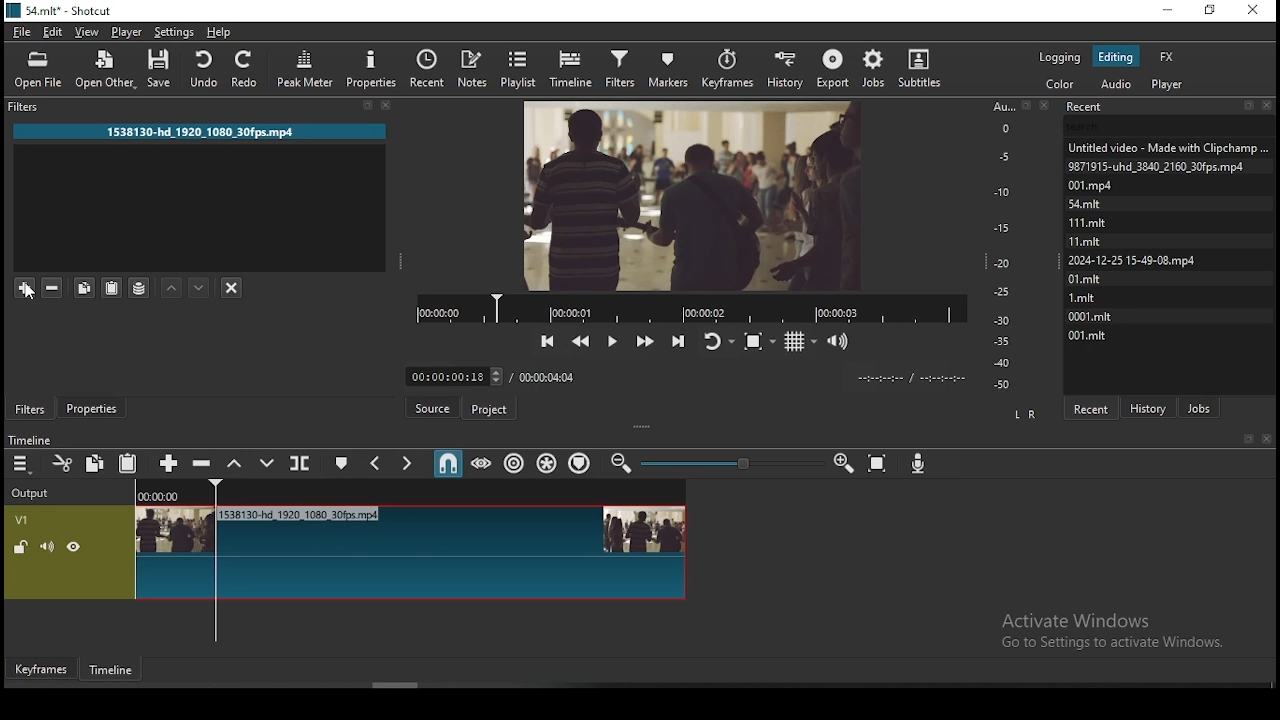 This screenshot has height=720, width=1280. Describe the element at coordinates (231, 285) in the screenshot. I see `deselect filters` at that location.